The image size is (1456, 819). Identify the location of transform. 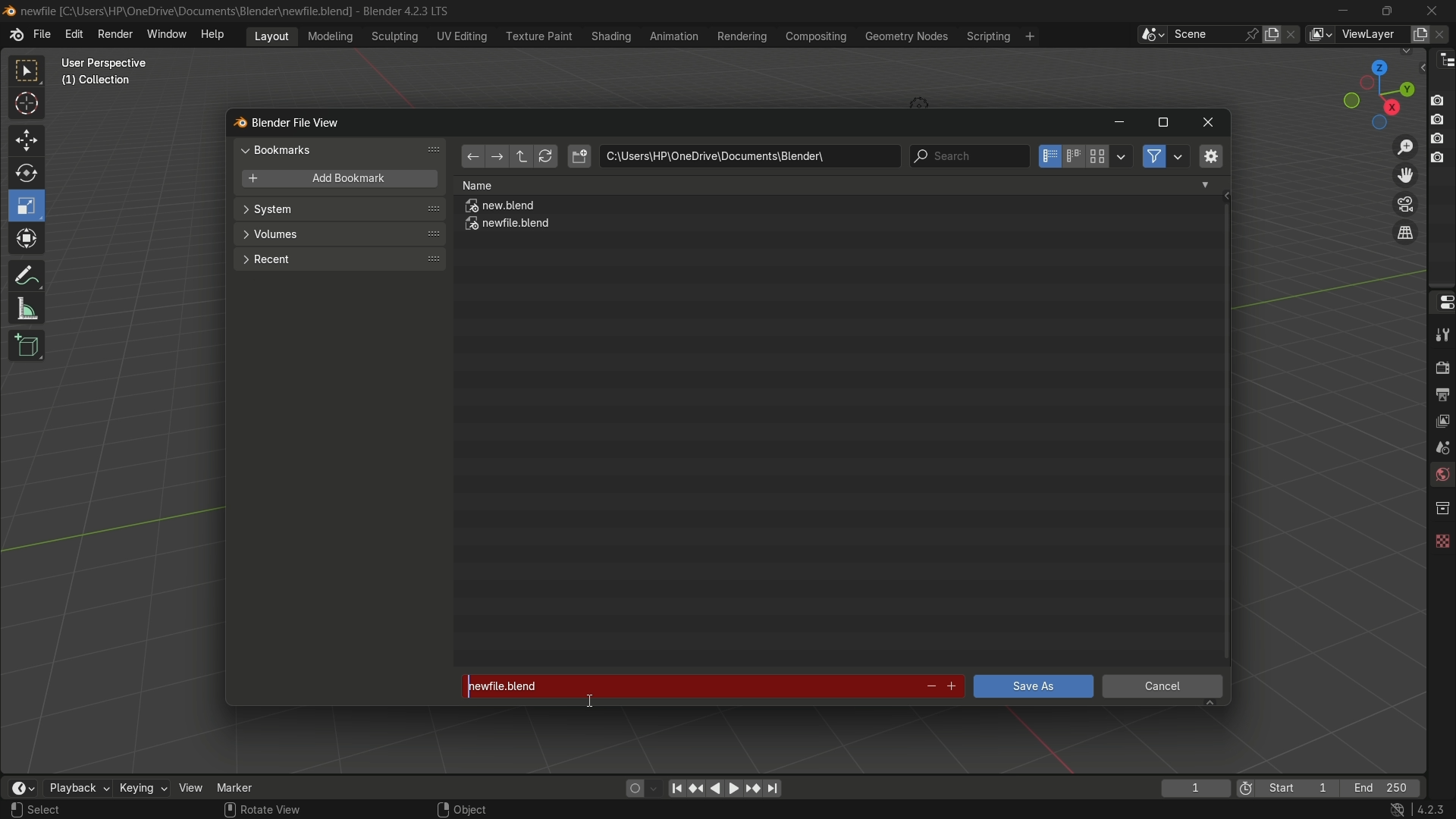
(28, 240).